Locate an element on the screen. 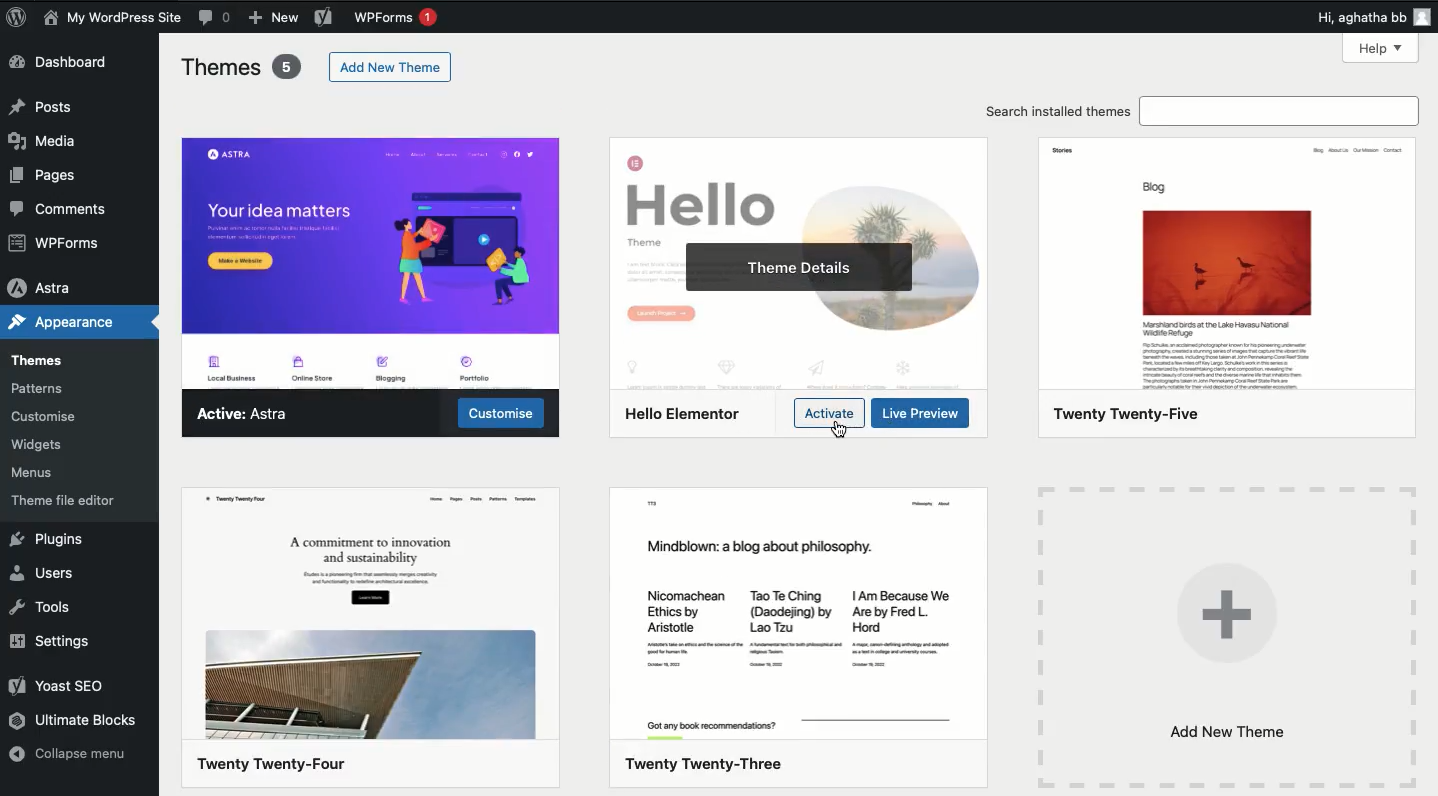  Activate is located at coordinates (829, 413).